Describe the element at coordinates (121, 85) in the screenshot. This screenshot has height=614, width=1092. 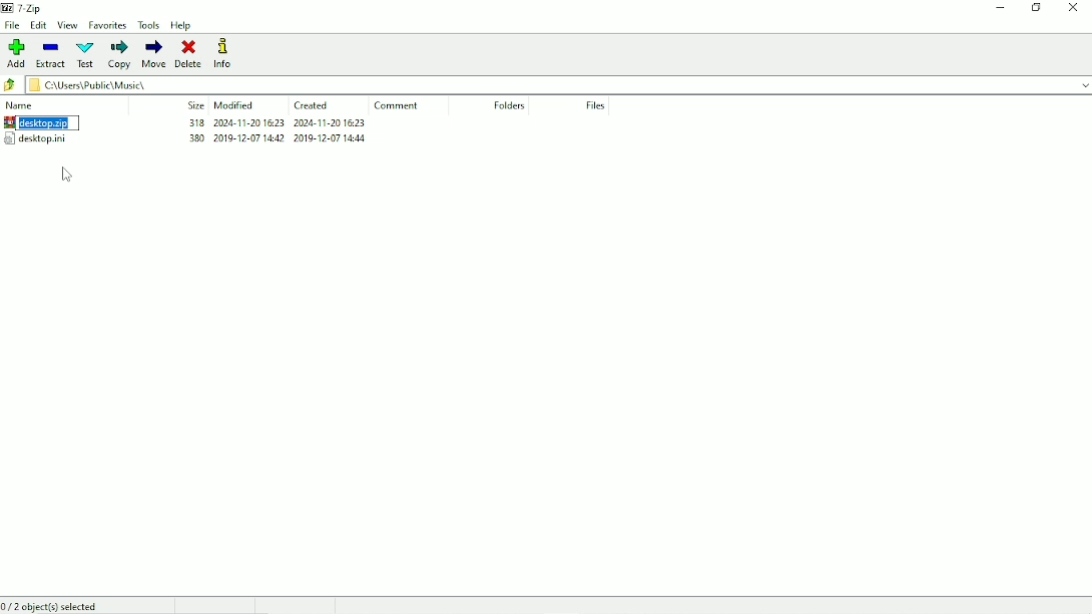
I see `CAUsers\Public\ Music` at that location.